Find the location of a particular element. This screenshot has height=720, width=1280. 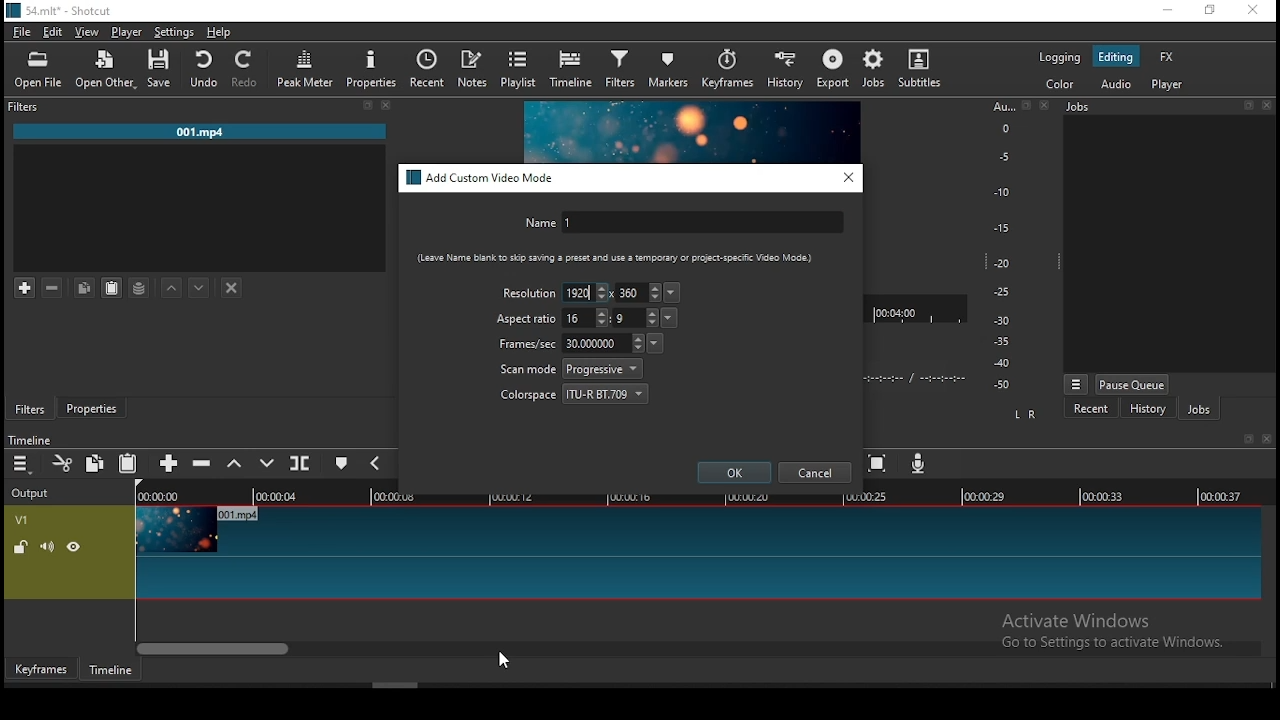

color is located at coordinates (1059, 83).